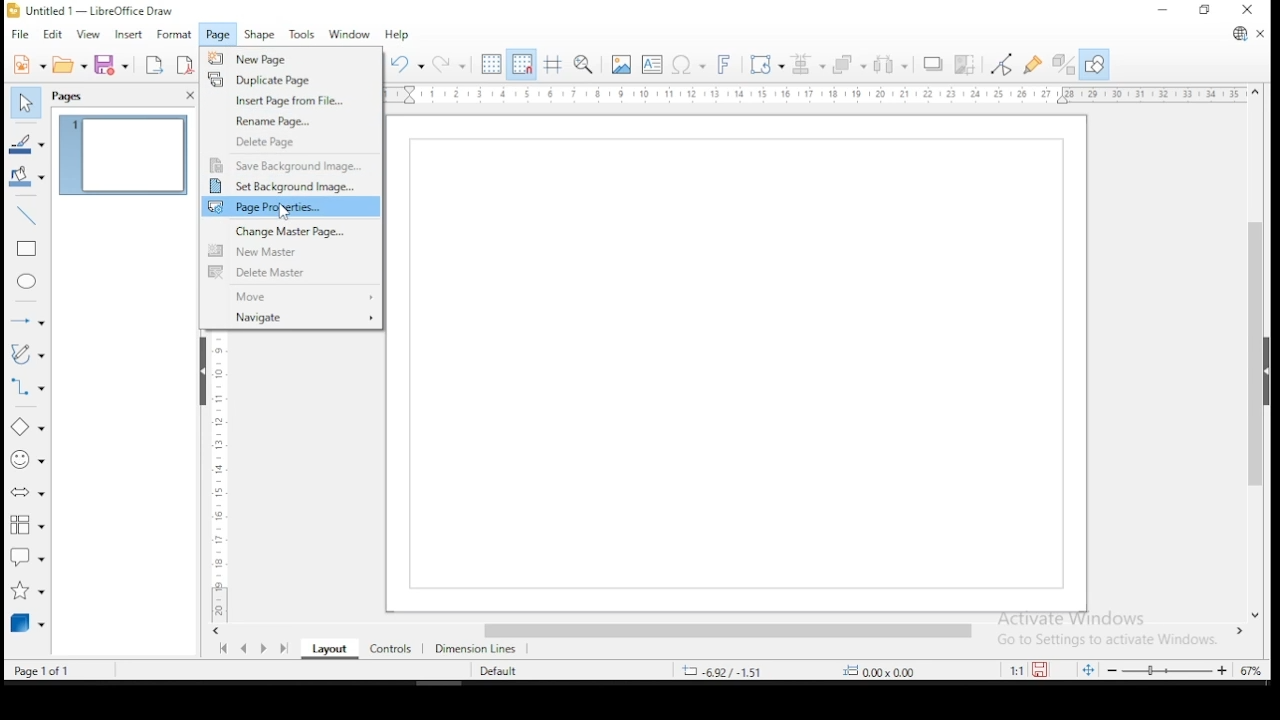 Image resolution: width=1280 pixels, height=720 pixels. What do you see at coordinates (1013, 670) in the screenshot?
I see `1:1` at bounding box center [1013, 670].